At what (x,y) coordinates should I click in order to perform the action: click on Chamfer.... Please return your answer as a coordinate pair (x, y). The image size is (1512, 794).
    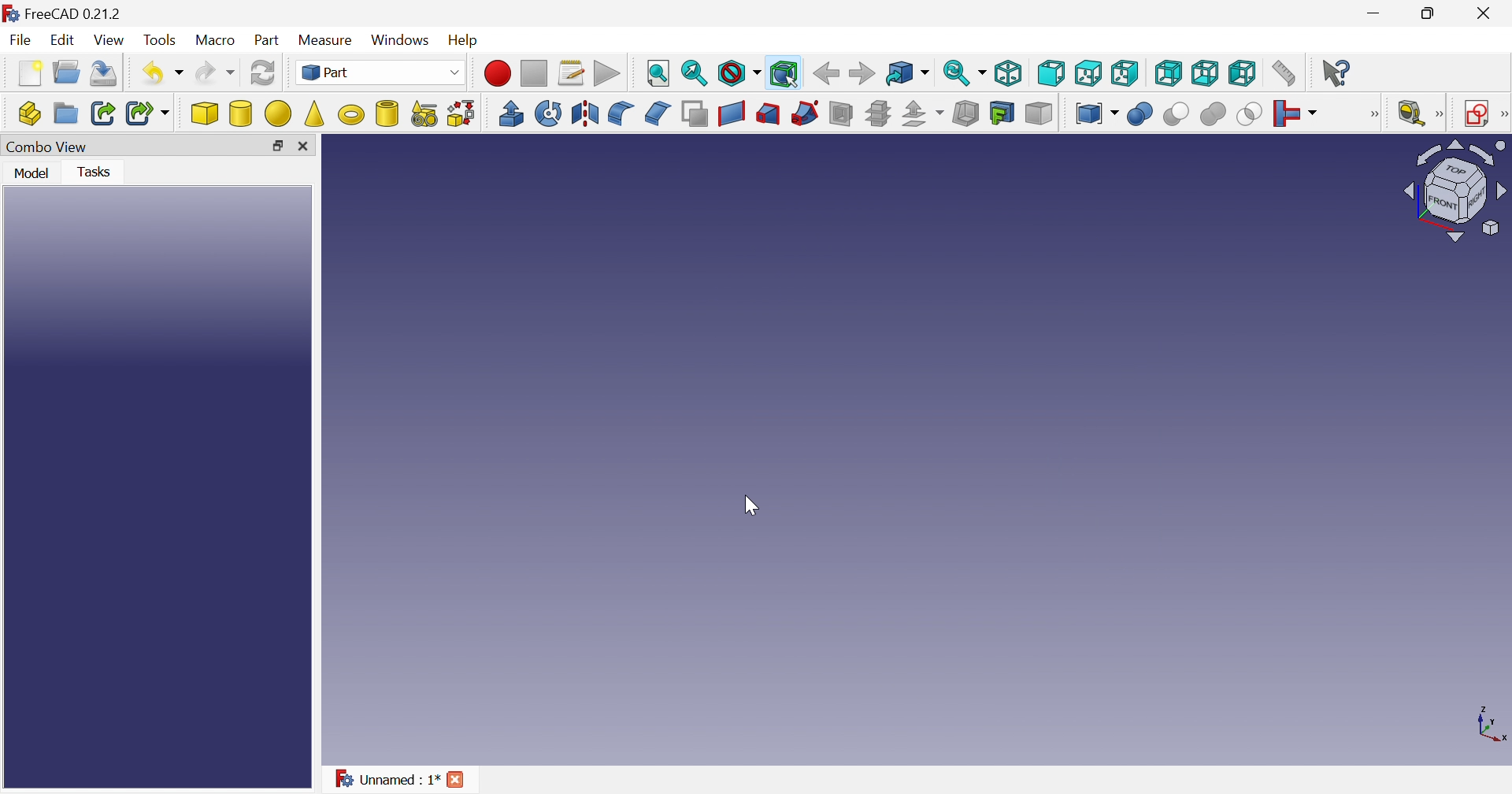
    Looking at the image, I should click on (656, 112).